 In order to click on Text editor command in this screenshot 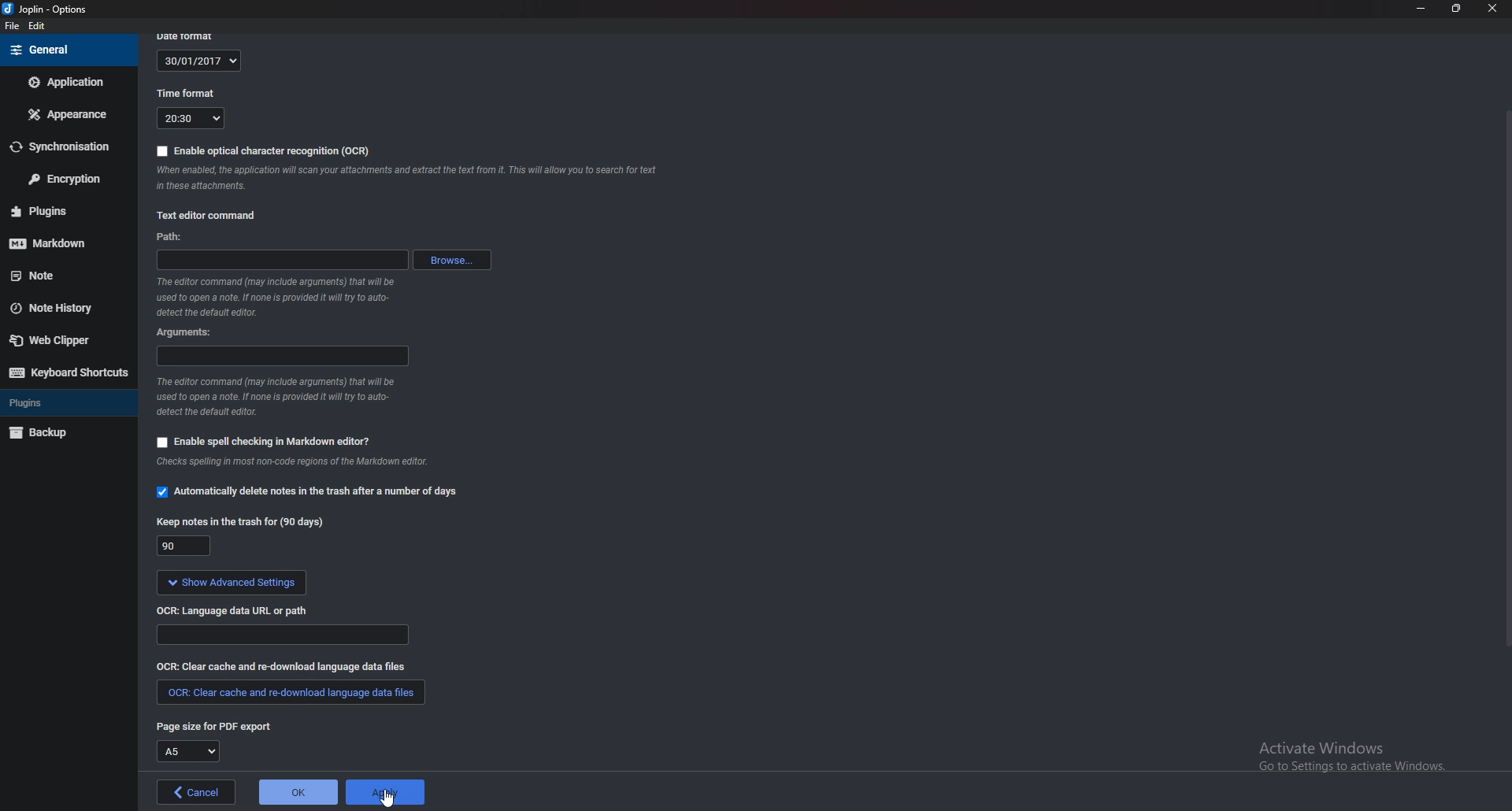, I will do `click(209, 216)`.